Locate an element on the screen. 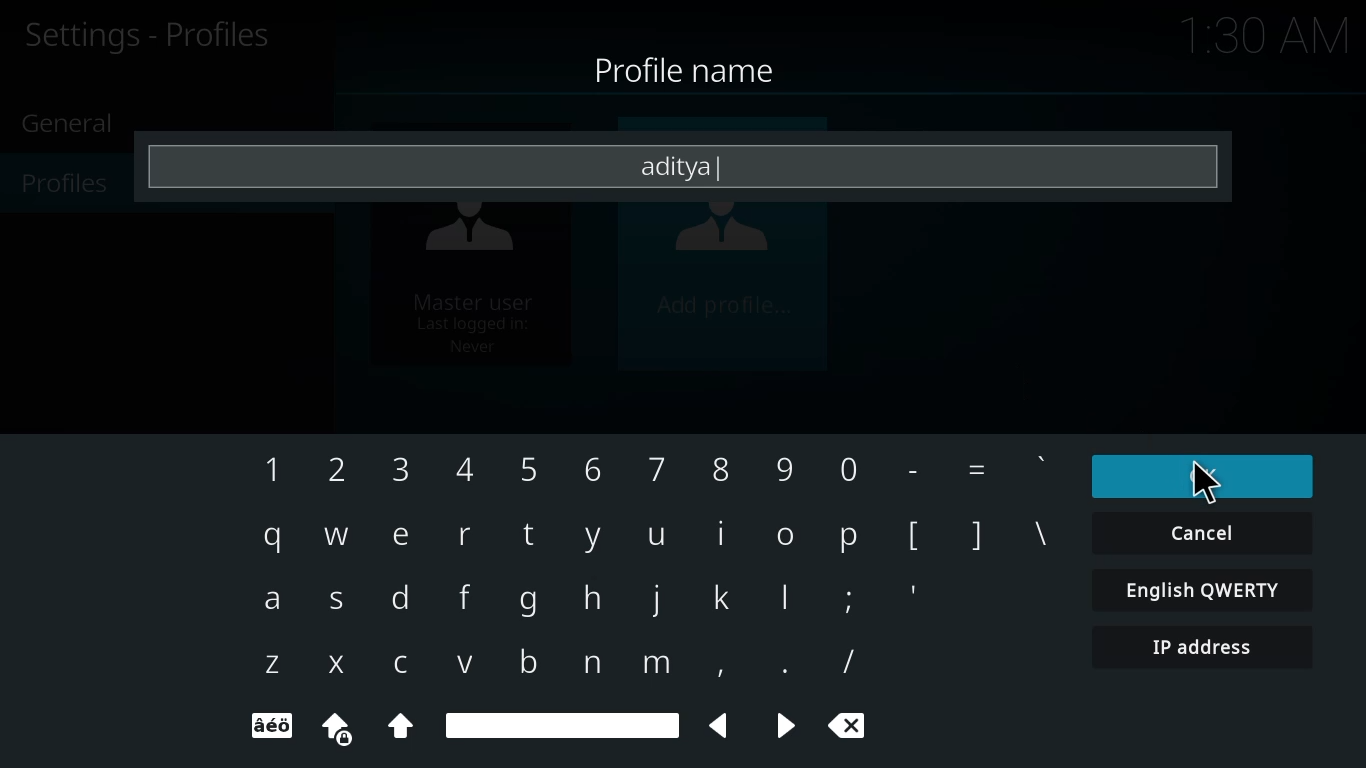  w is located at coordinates (332, 532).